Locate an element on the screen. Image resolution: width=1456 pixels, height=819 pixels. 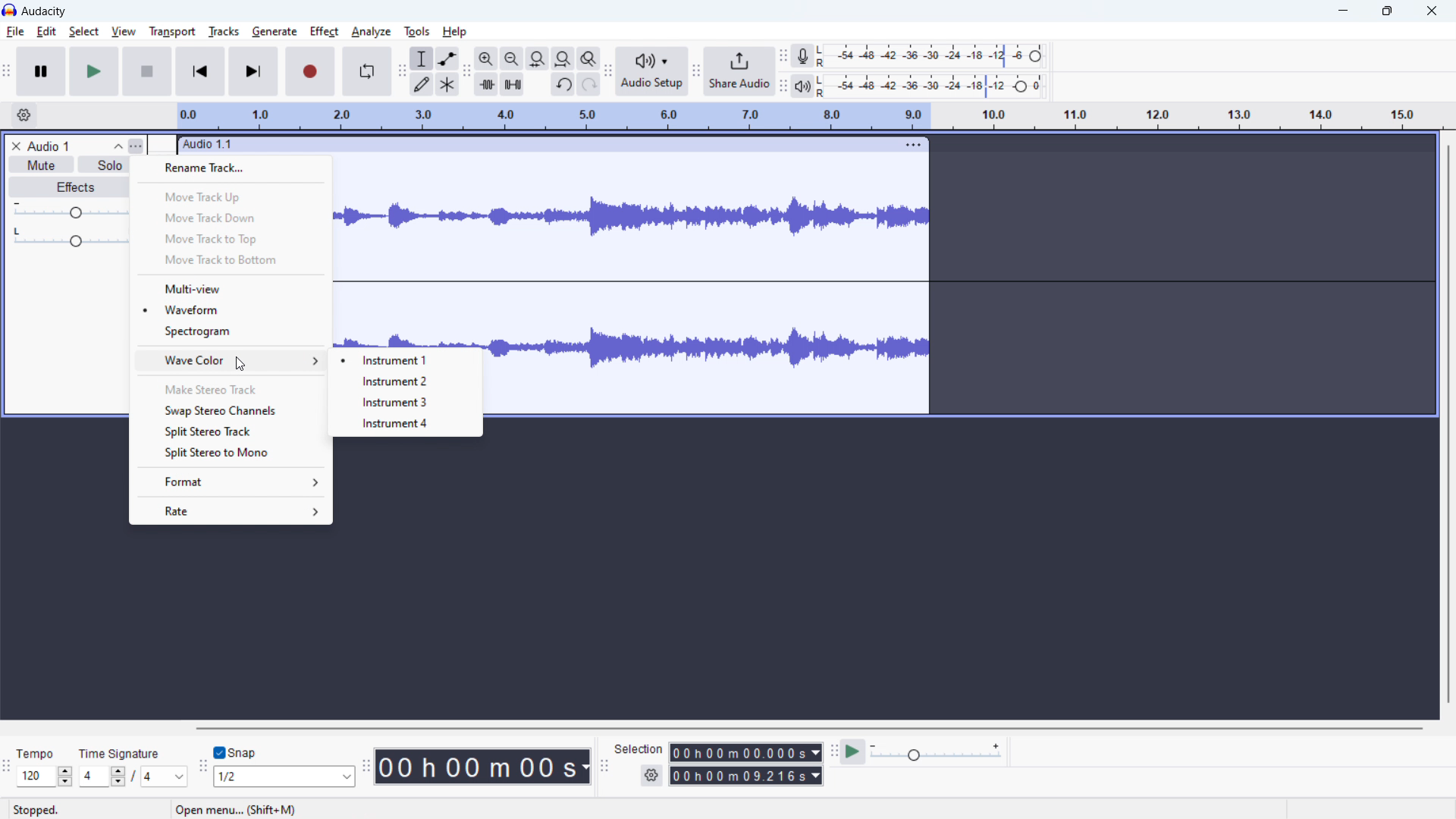
click to move is located at coordinates (530, 144).